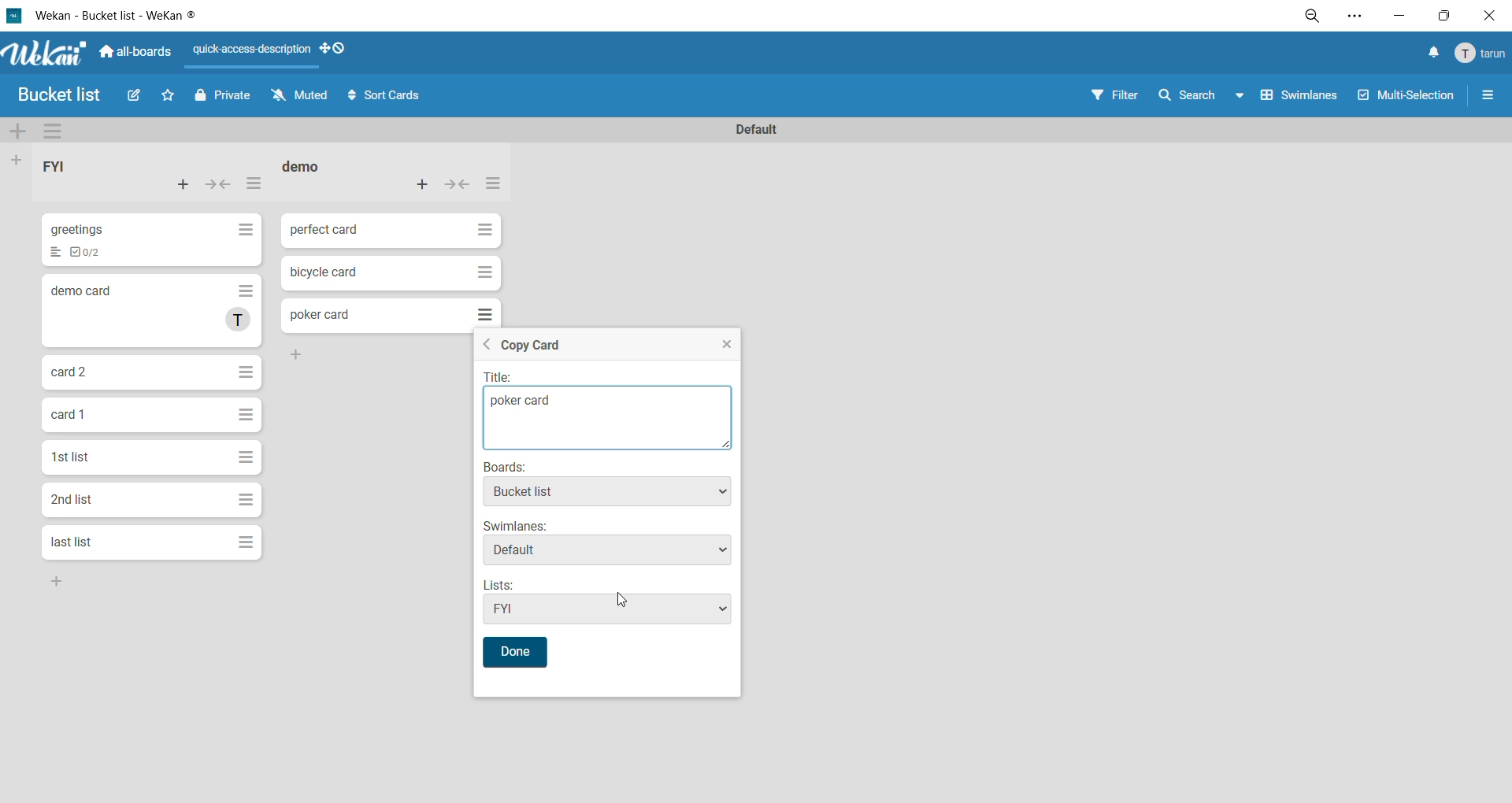 The height and width of the screenshot is (803, 1512). I want to click on poker card, so click(321, 314).